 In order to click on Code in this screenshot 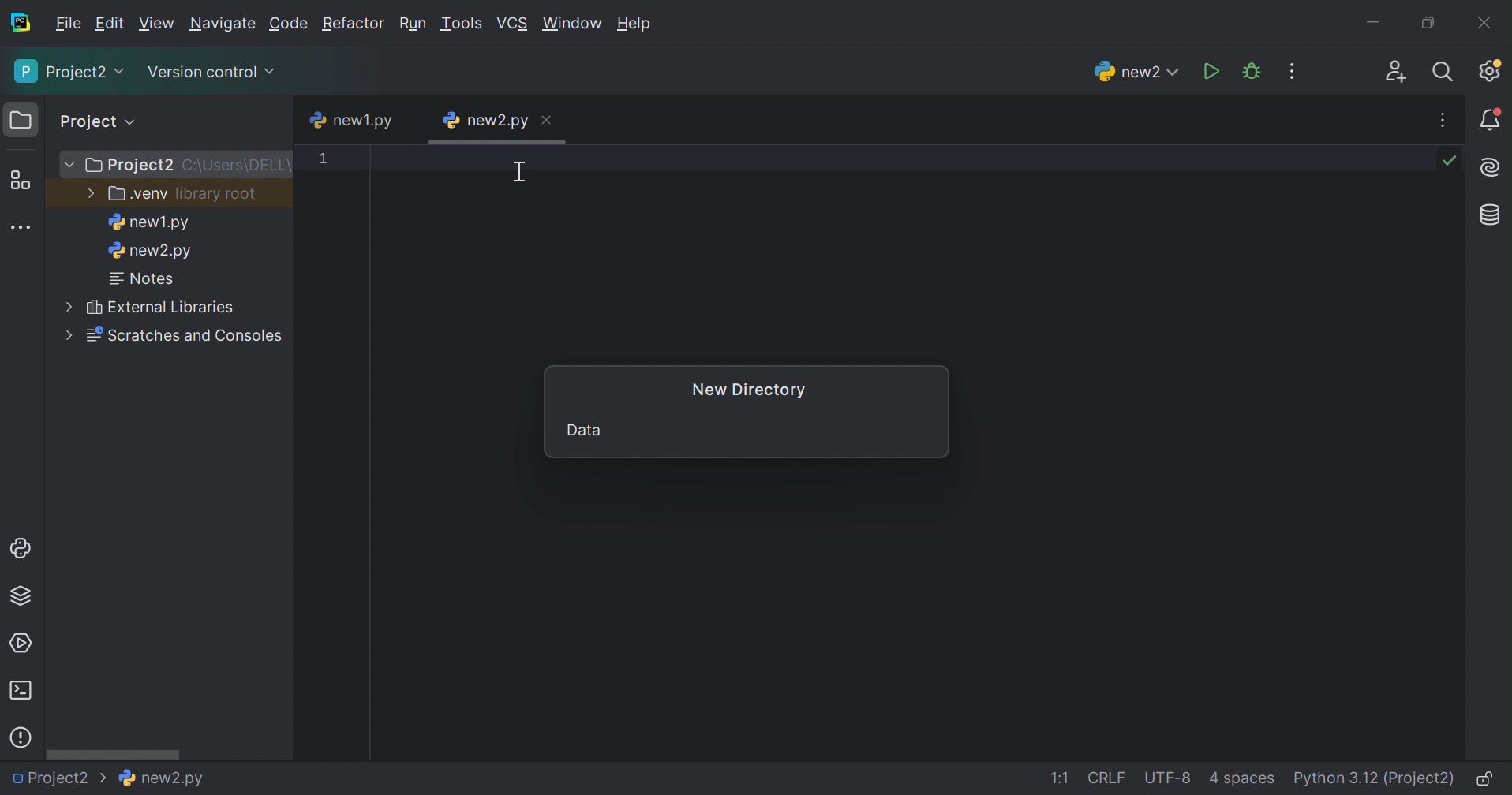, I will do `click(290, 24)`.